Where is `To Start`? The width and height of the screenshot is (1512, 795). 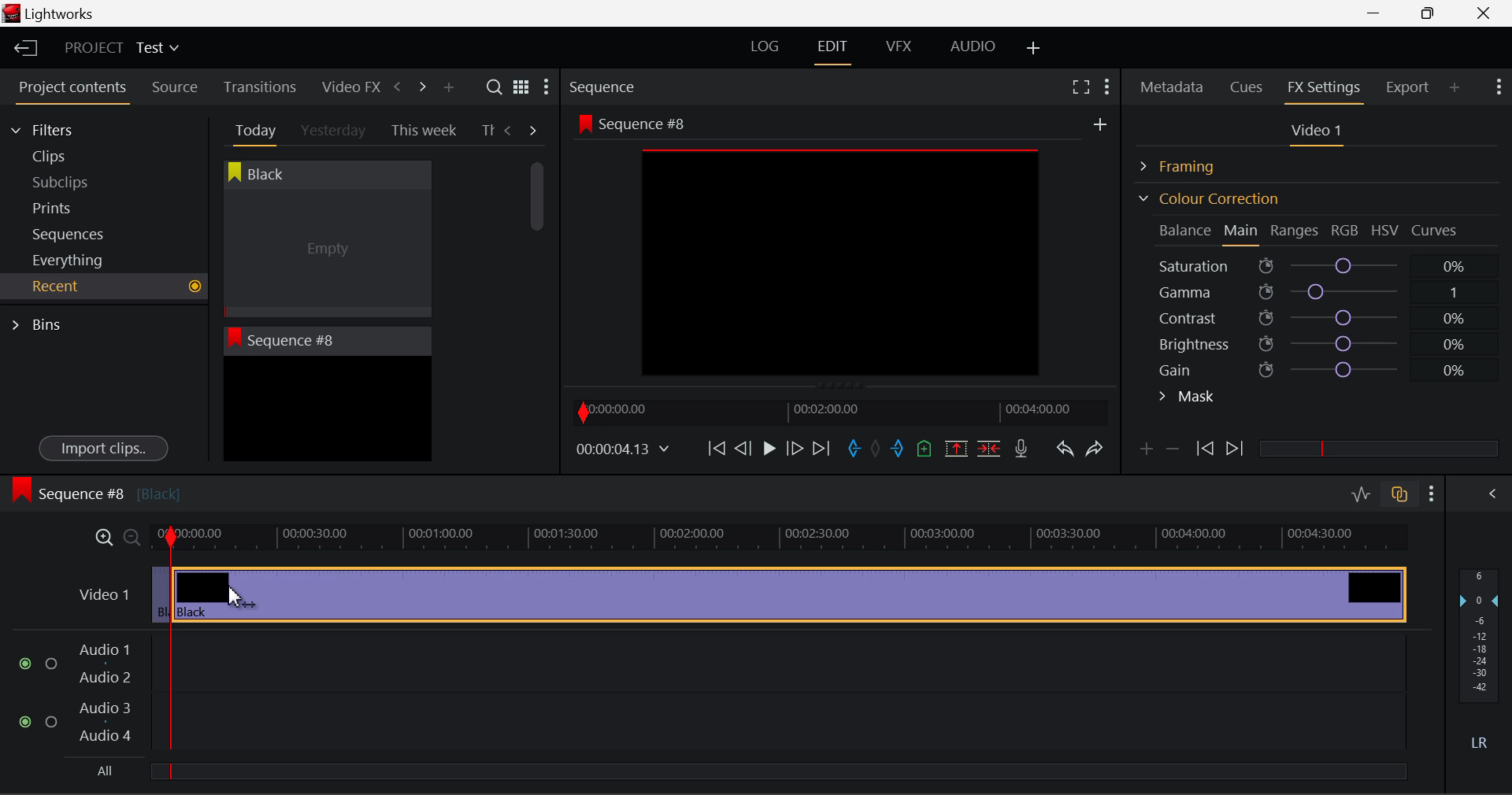
To Start is located at coordinates (715, 448).